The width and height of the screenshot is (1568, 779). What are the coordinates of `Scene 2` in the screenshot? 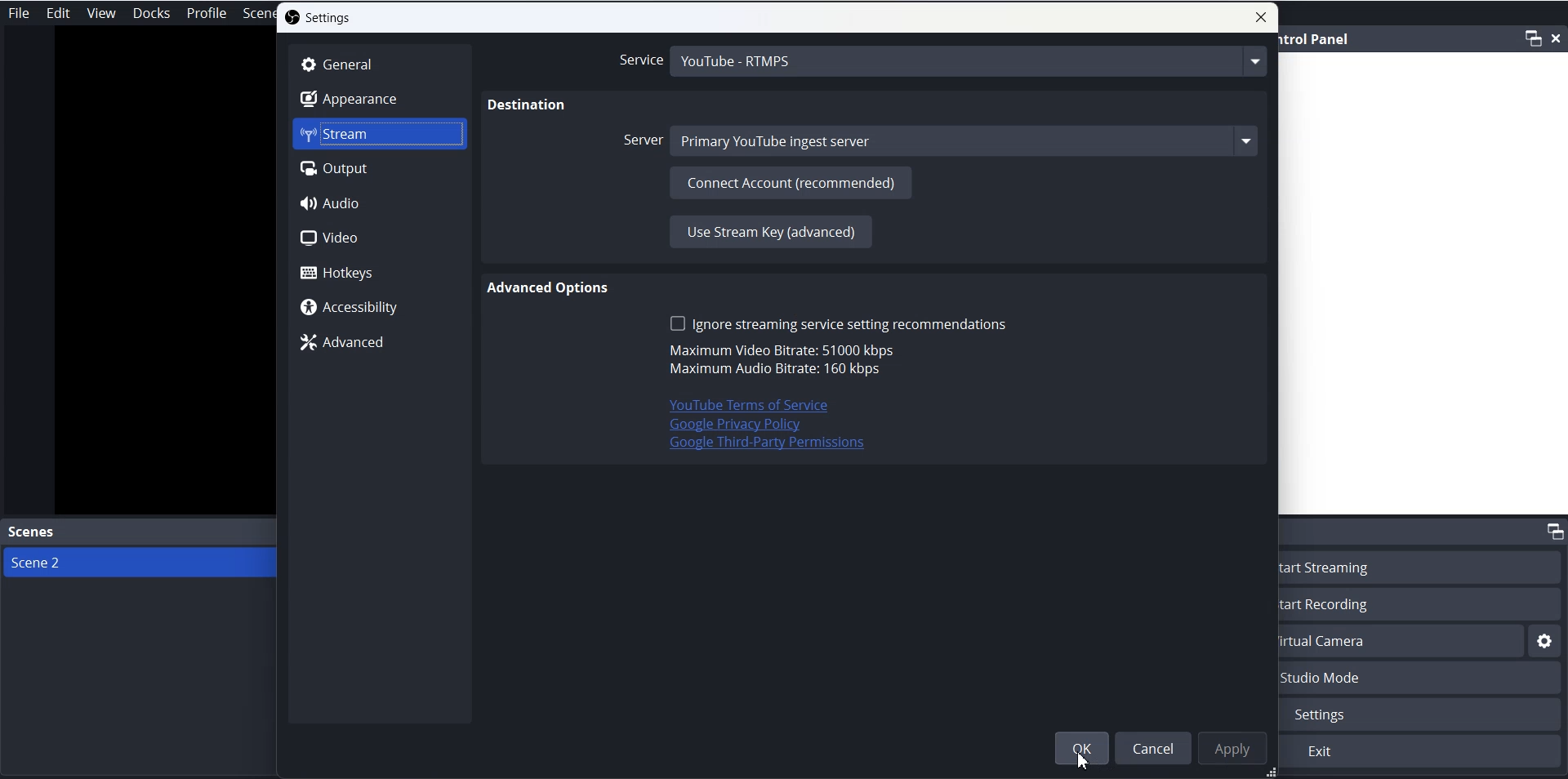 It's located at (139, 562).